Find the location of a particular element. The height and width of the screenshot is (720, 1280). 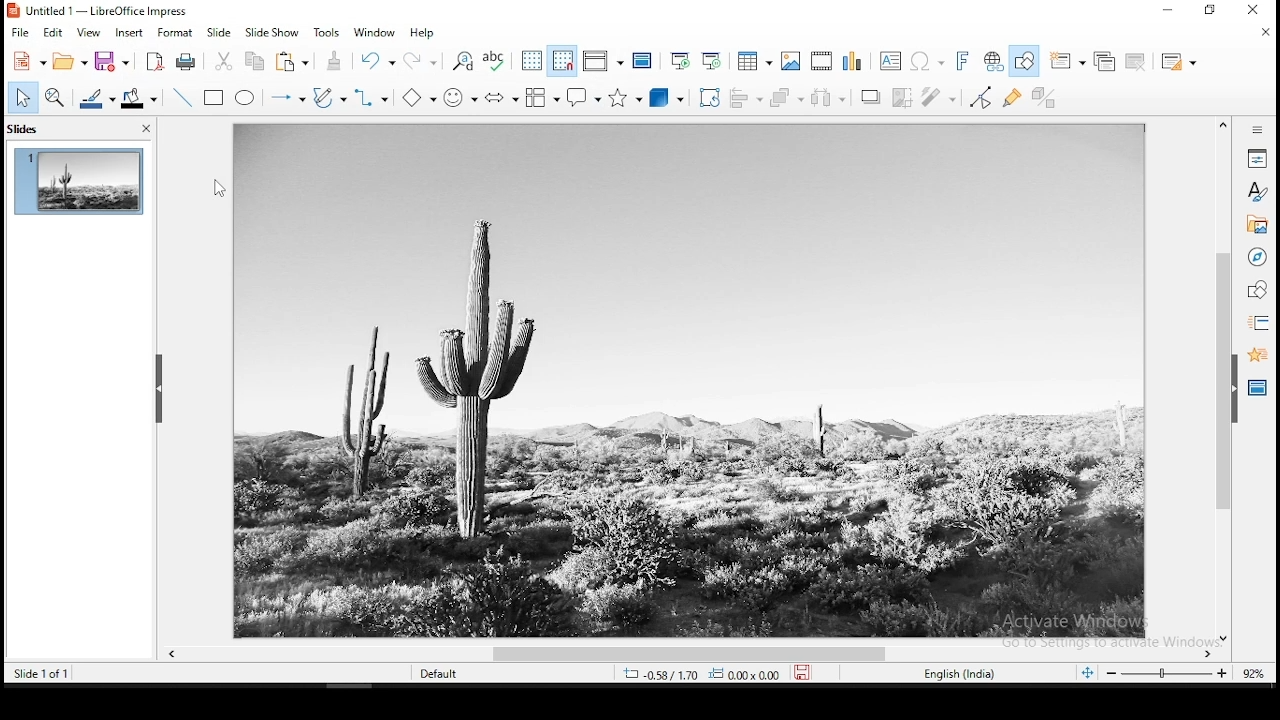

special characters is located at coordinates (927, 62).